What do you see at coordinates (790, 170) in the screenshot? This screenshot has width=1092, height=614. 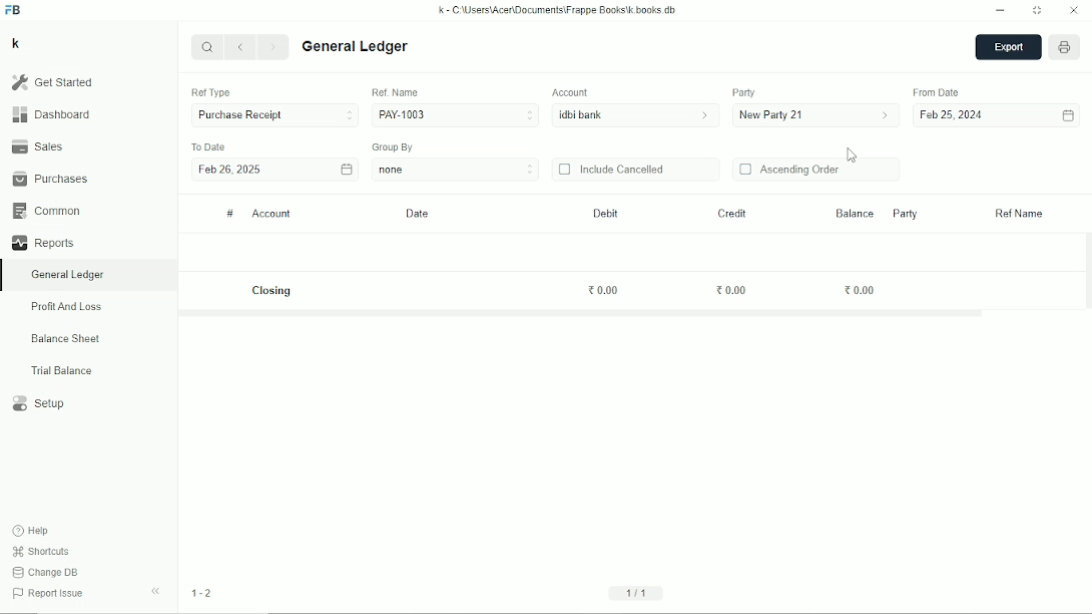 I see `Ascending order` at bounding box center [790, 170].